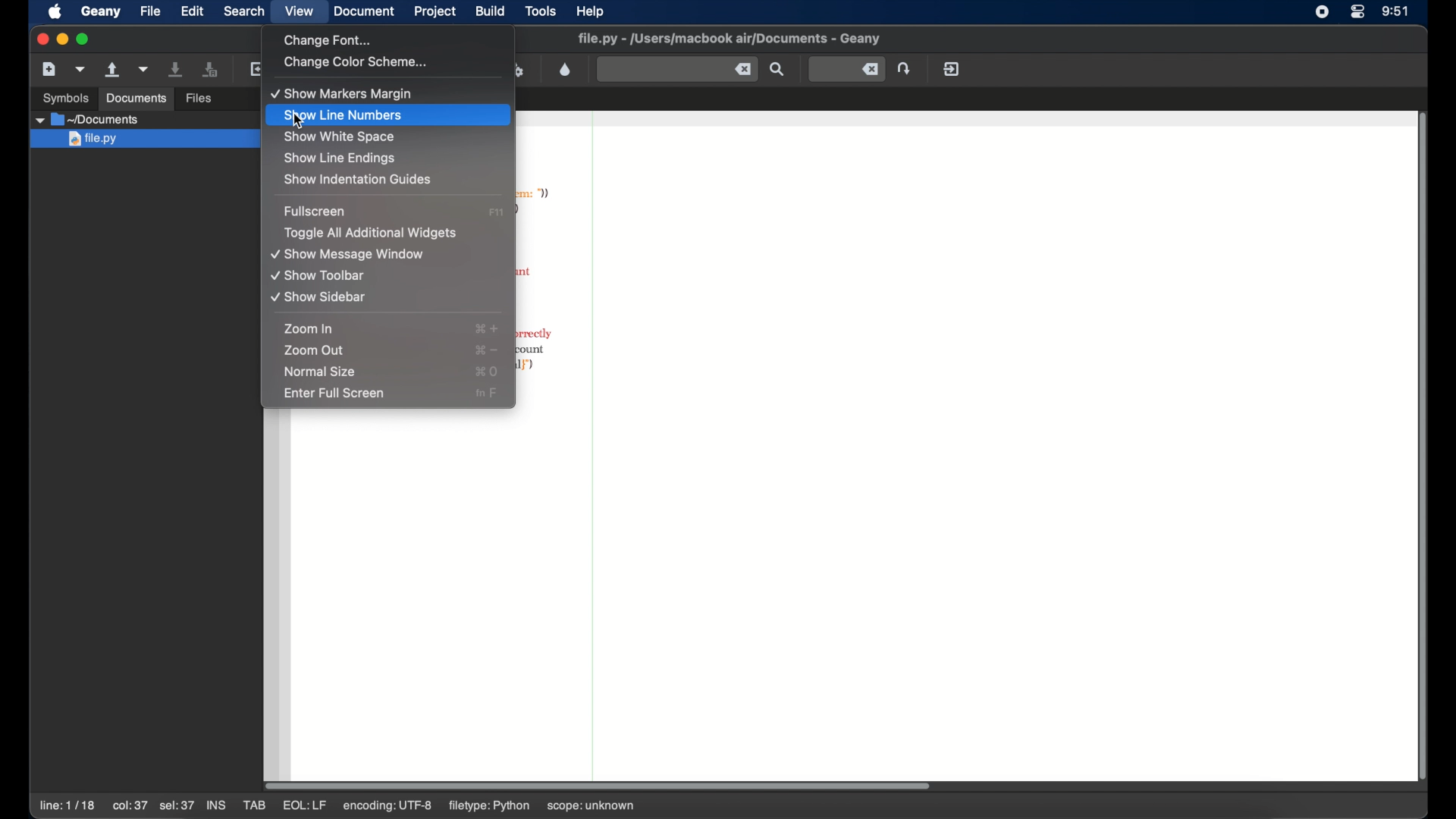 The width and height of the screenshot is (1456, 819). What do you see at coordinates (177, 68) in the screenshot?
I see `save the current file` at bounding box center [177, 68].